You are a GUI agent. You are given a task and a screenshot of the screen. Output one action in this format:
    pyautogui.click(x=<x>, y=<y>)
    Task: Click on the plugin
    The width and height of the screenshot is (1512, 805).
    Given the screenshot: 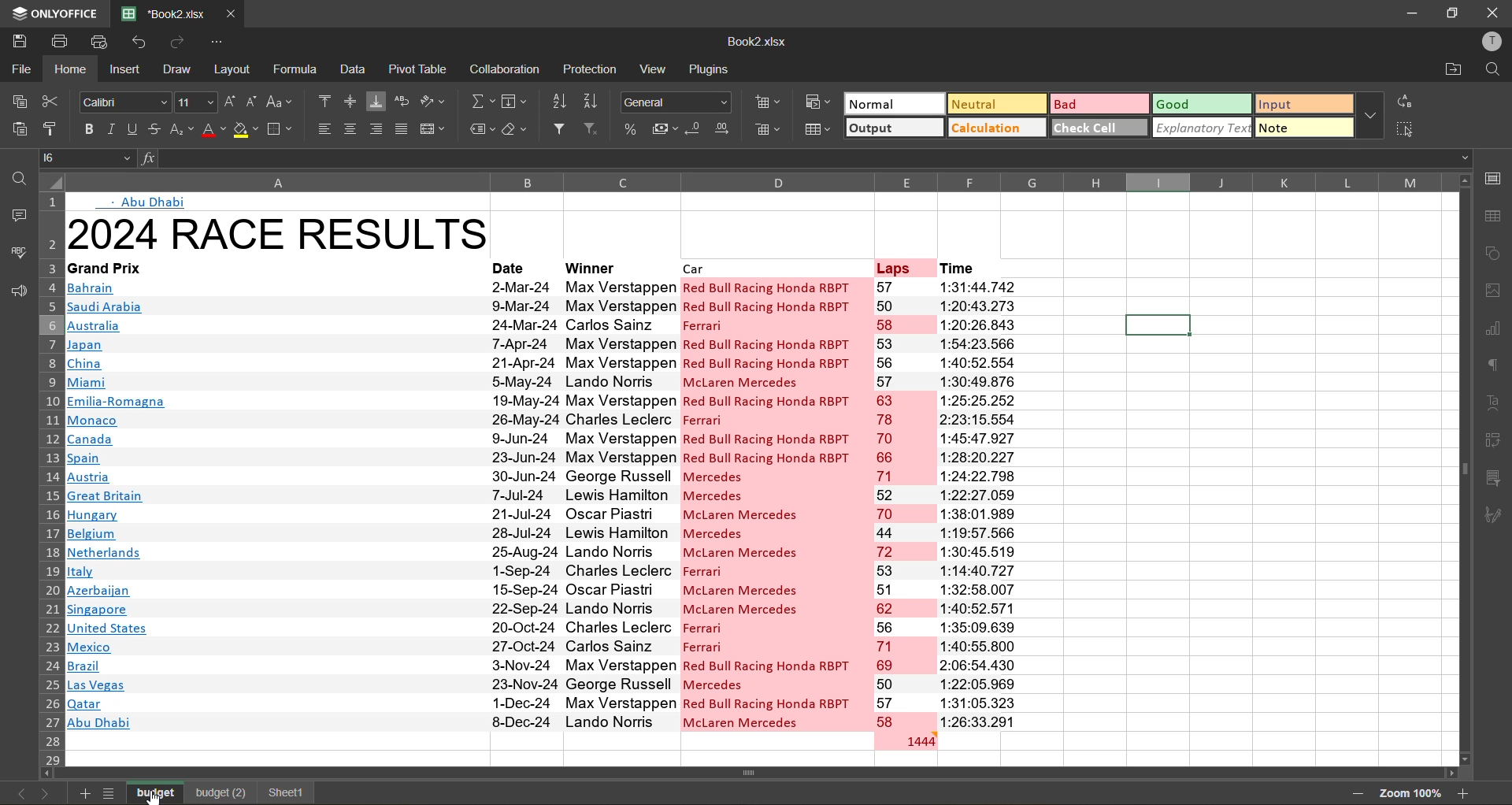 What is the action you would take?
    pyautogui.click(x=714, y=72)
    